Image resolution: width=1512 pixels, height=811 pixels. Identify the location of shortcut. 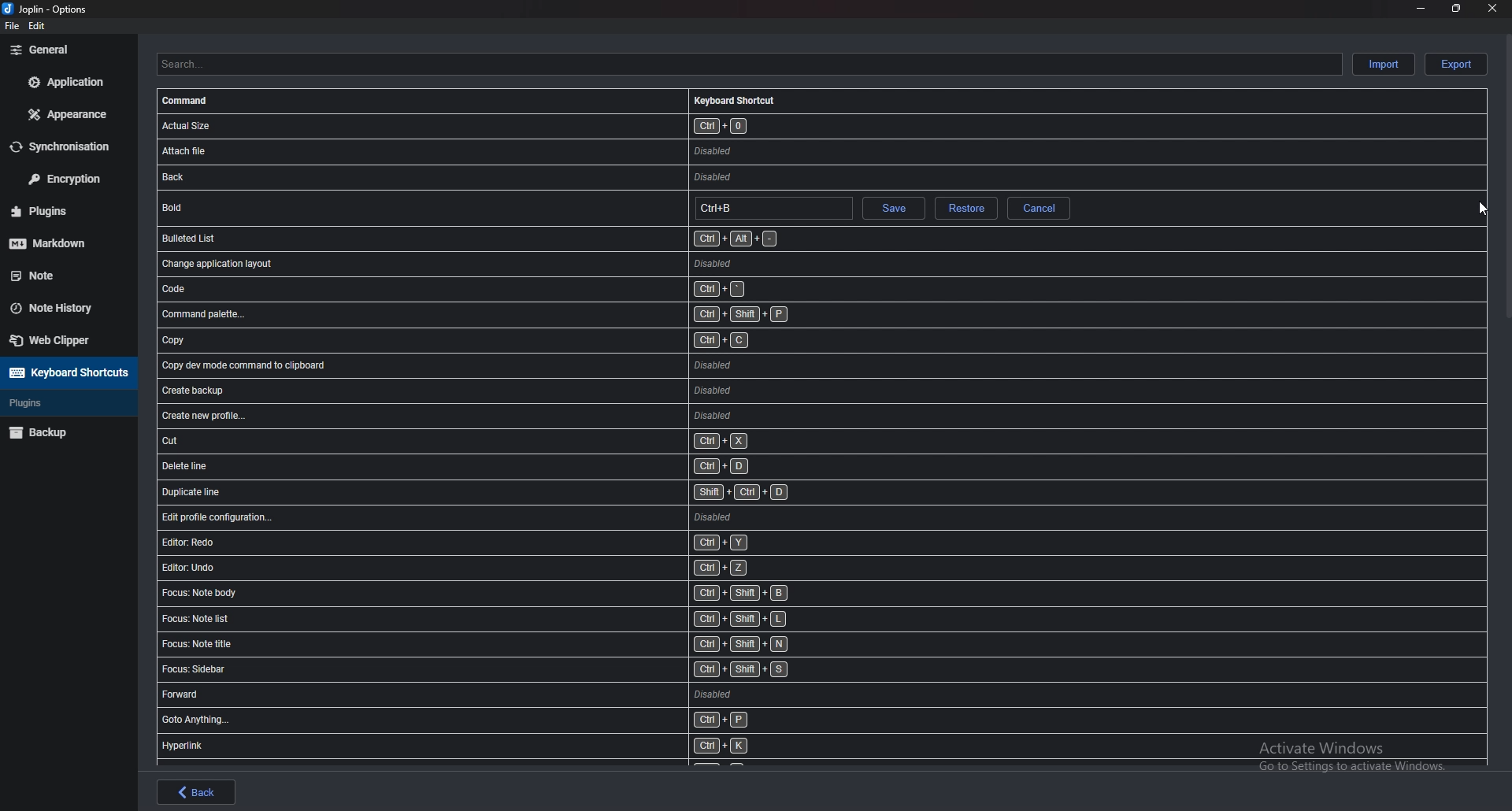
(523, 670).